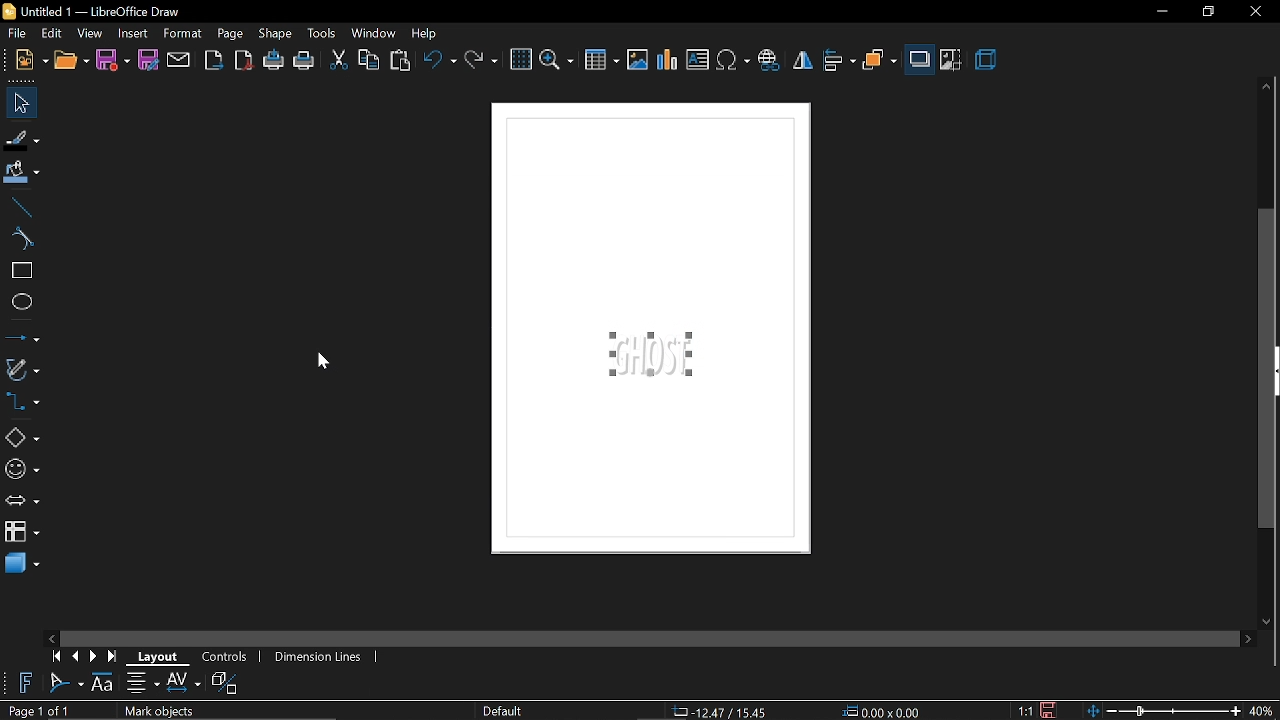  What do you see at coordinates (224, 656) in the screenshot?
I see `controls` at bounding box center [224, 656].